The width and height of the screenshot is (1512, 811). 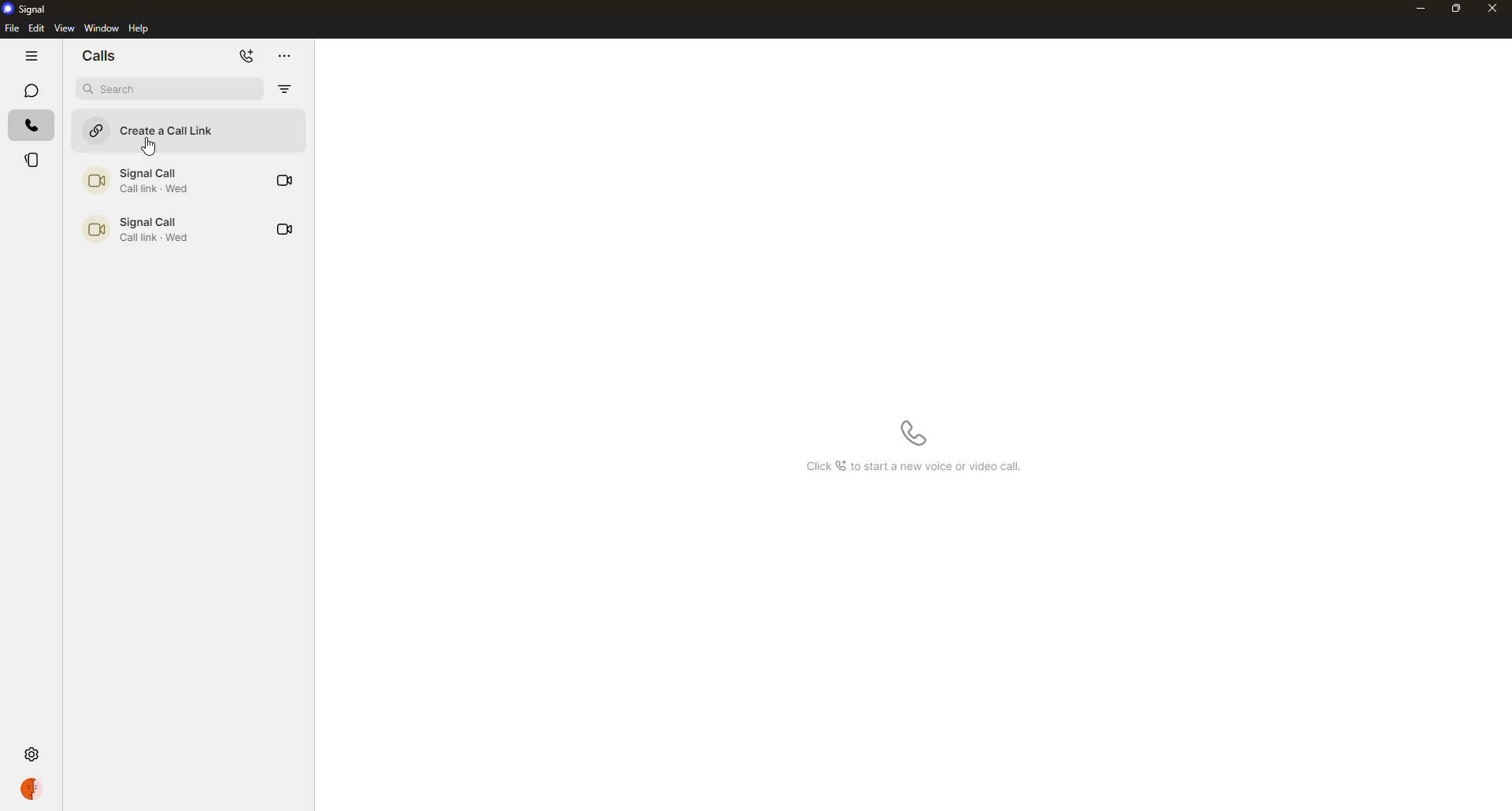 What do you see at coordinates (190, 128) in the screenshot?
I see `create a call link` at bounding box center [190, 128].